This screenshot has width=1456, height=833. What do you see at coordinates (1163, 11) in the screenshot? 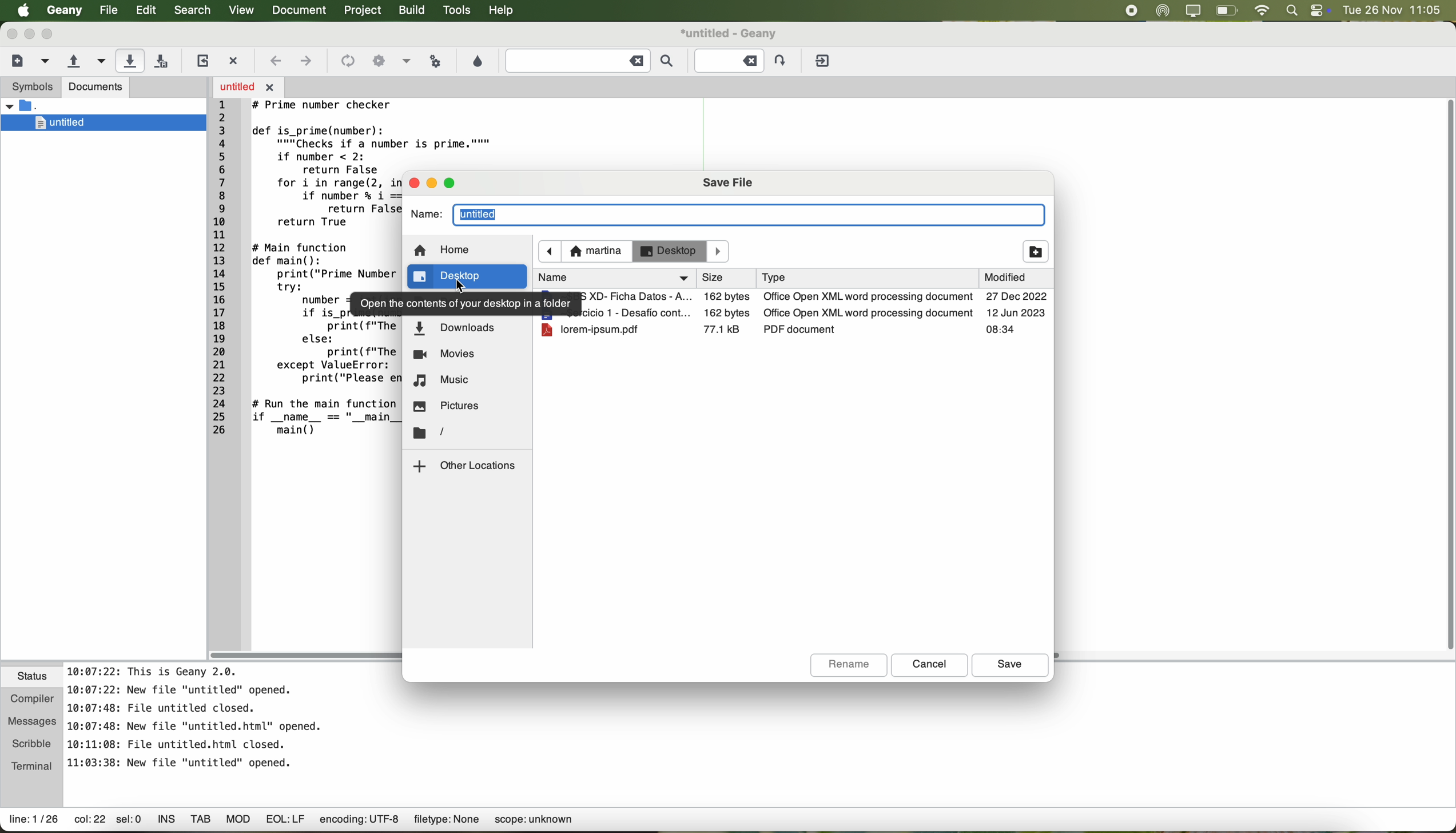
I see `airdrop` at bounding box center [1163, 11].